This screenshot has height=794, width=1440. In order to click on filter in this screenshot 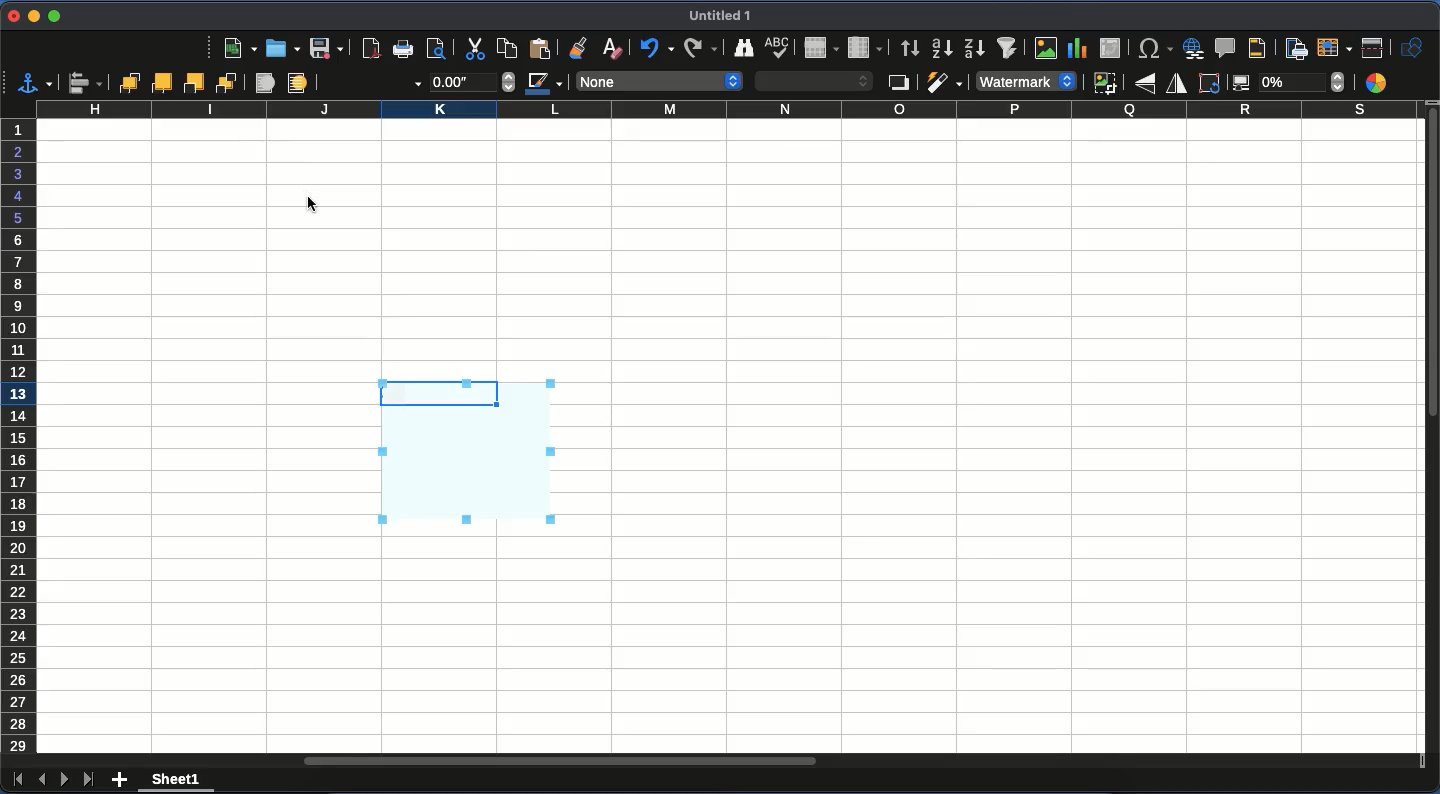, I will do `click(944, 82)`.